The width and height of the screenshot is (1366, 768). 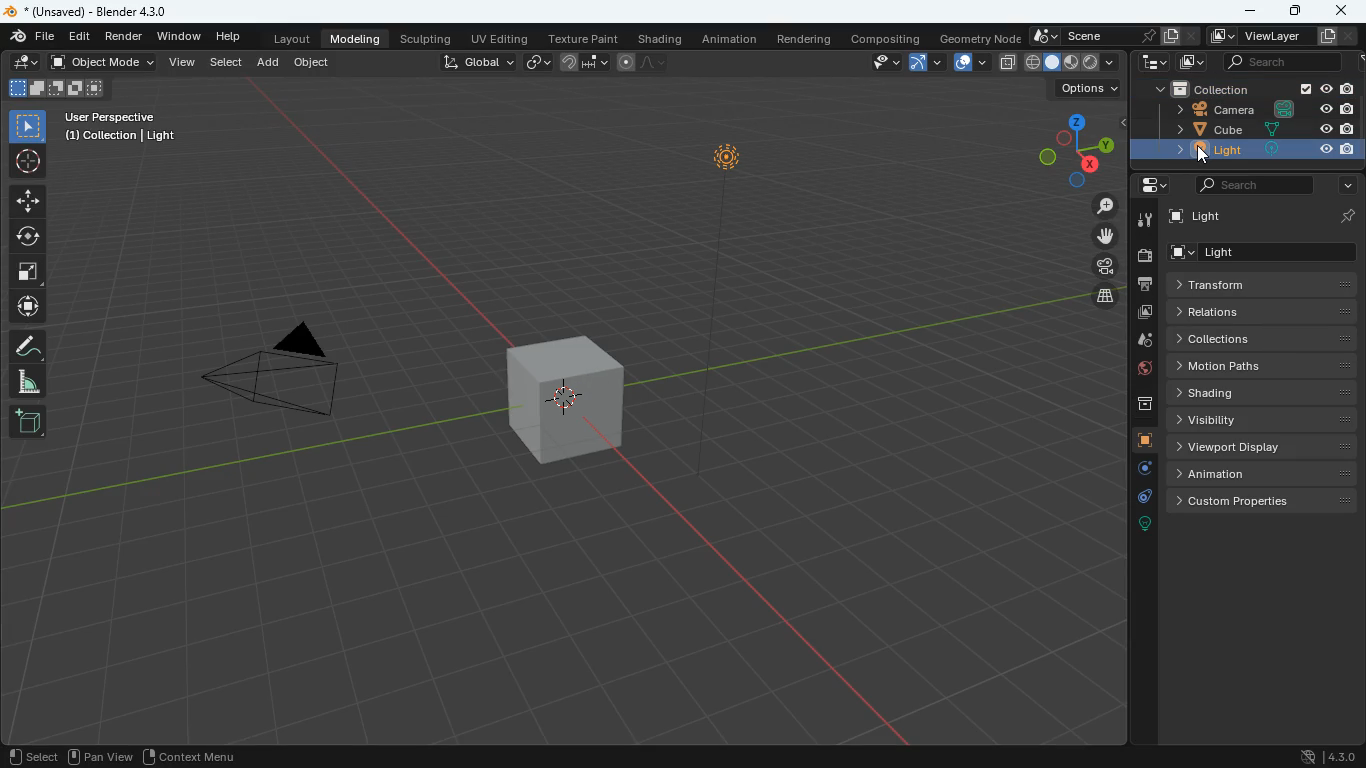 I want to click on empty, so click(x=1091, y=62).